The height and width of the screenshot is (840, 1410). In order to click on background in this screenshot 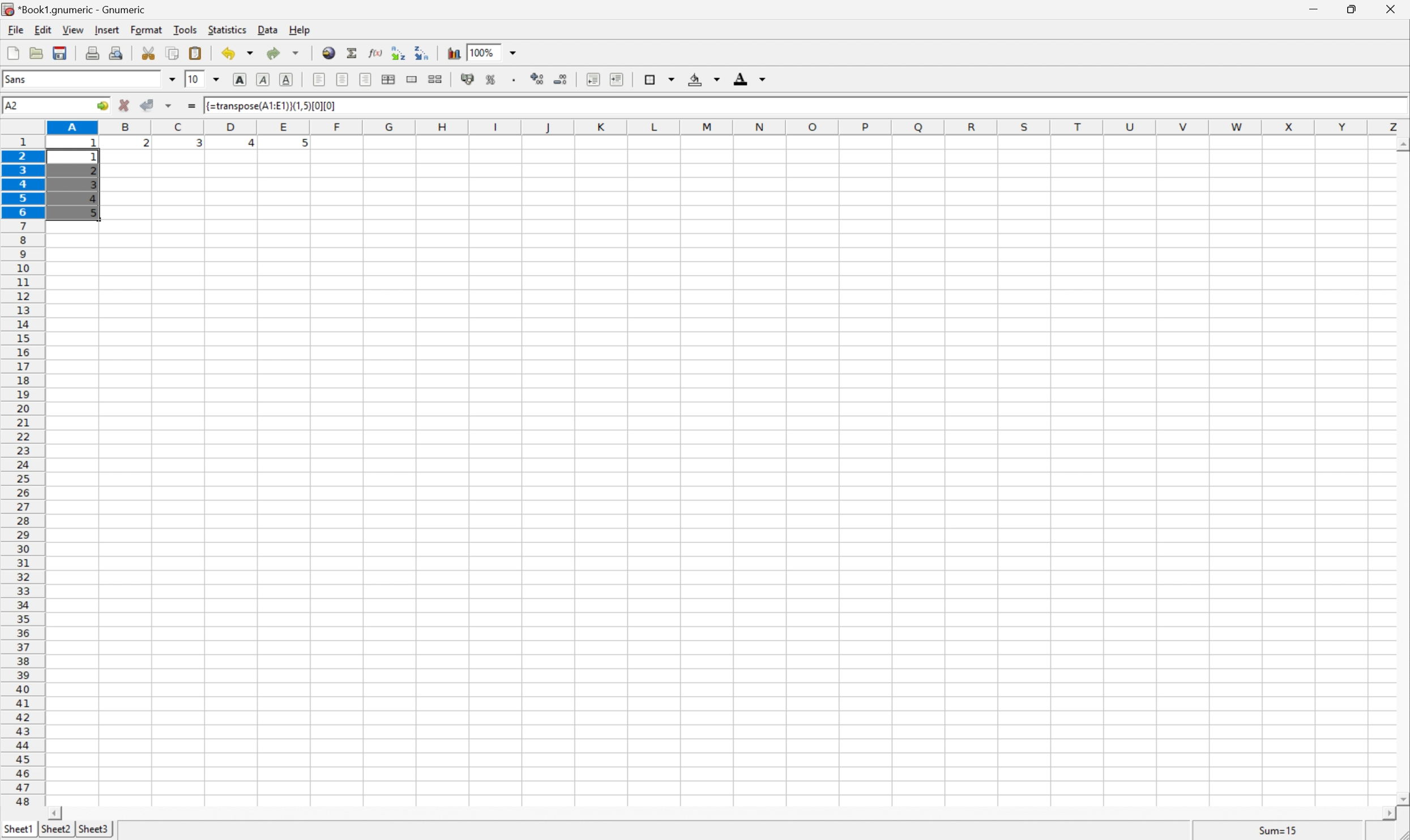, I will do `click(705, 79)`.